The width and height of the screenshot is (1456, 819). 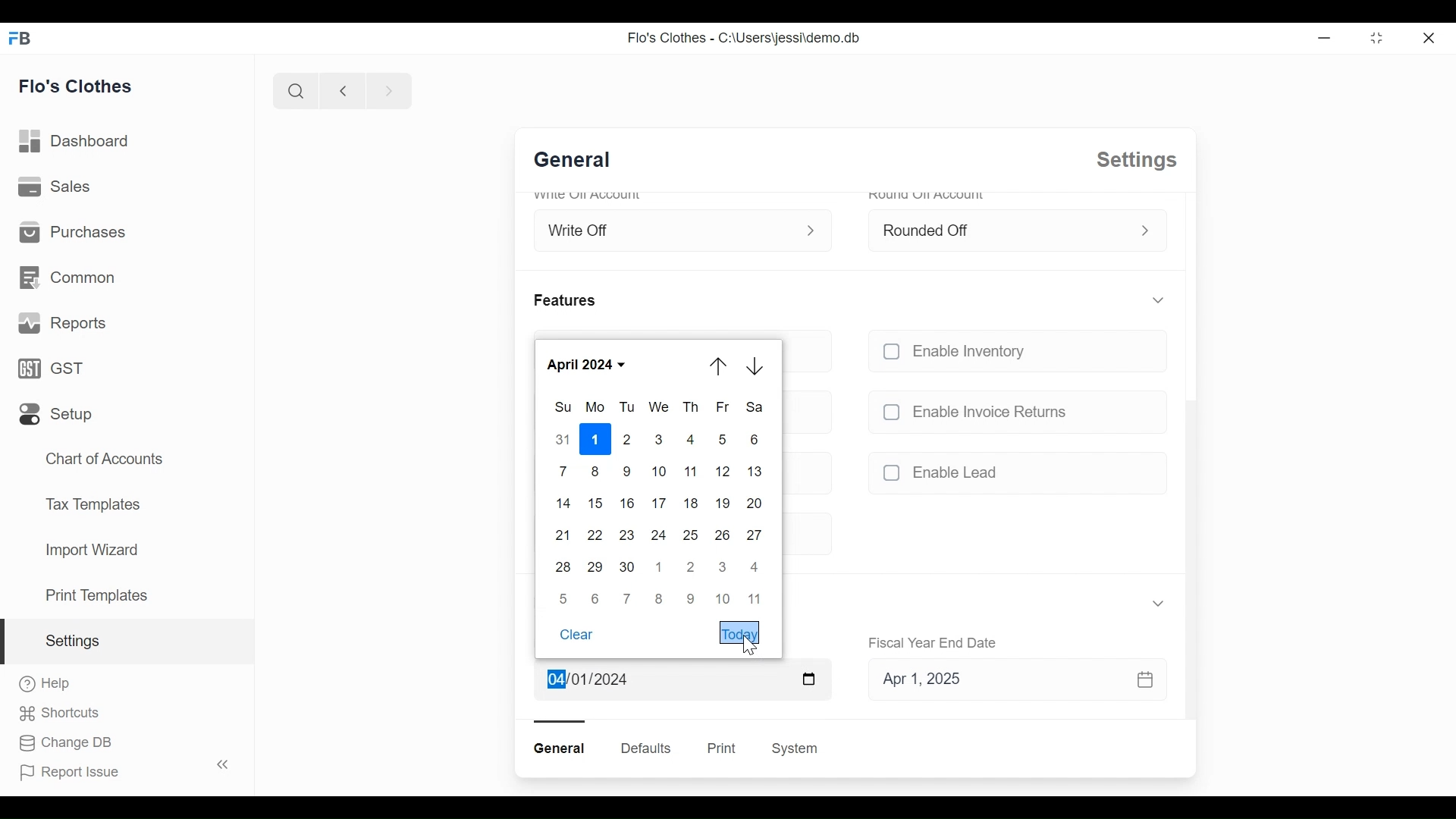 What do you see at coordinates (1376, 37) in the screenshot?
I see `Restore` at bounding box center [1376, 37].